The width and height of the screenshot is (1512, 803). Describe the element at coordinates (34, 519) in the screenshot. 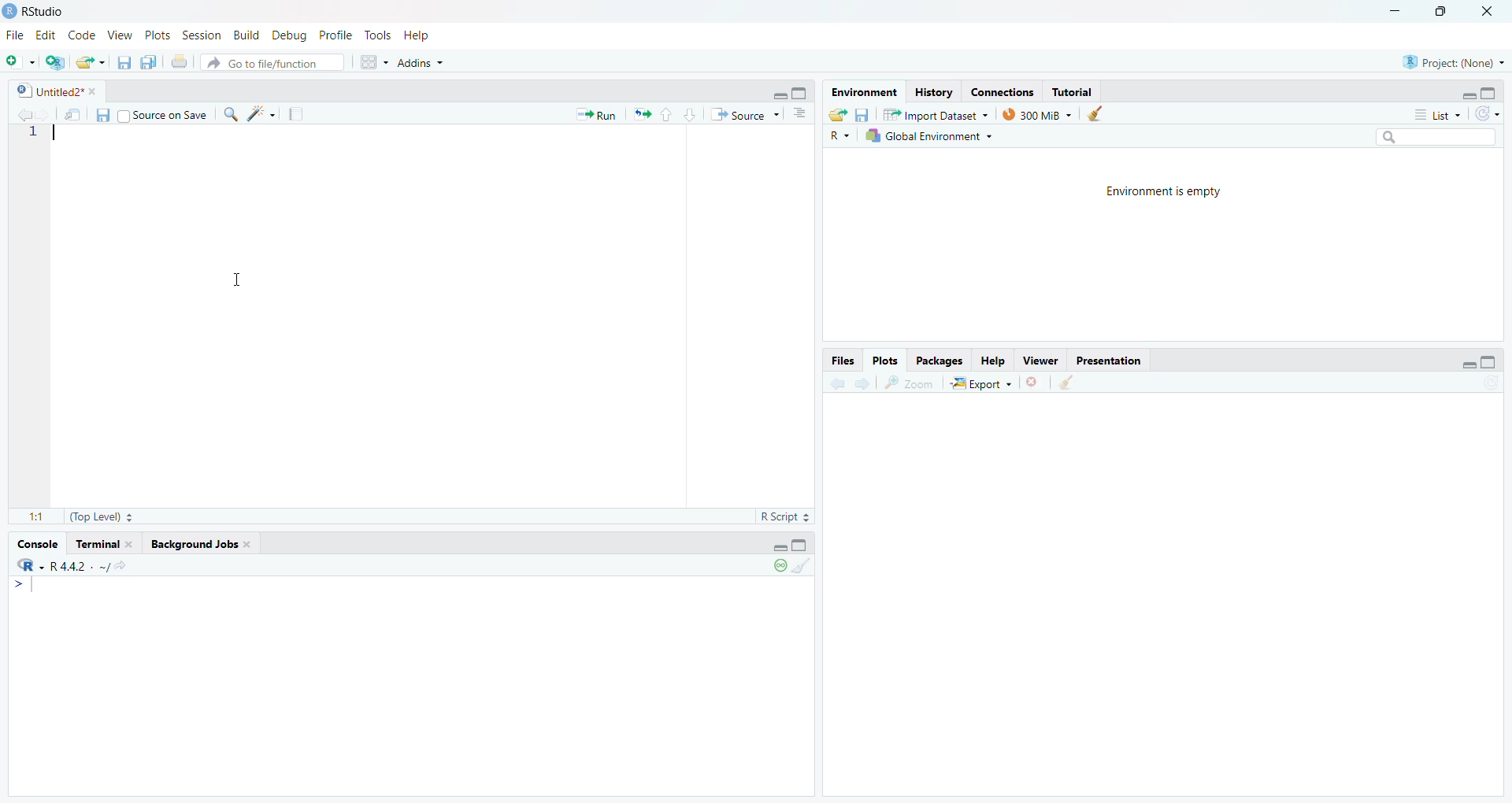

I see `1:1` at that location.